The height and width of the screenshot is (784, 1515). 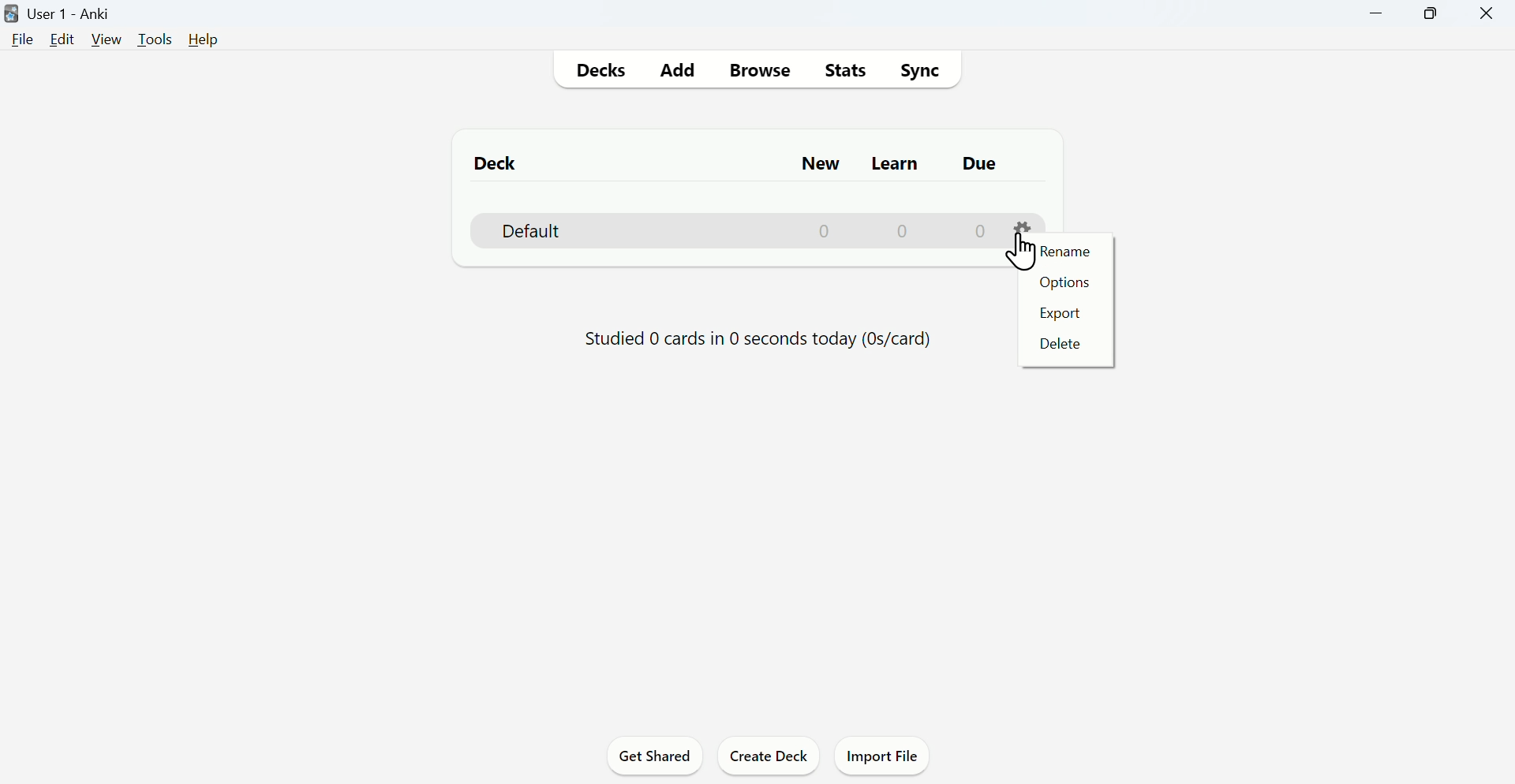 What do you see at coordinates (107, 39) in the screenshot?
I see `View` at bounding box center [107, 39].